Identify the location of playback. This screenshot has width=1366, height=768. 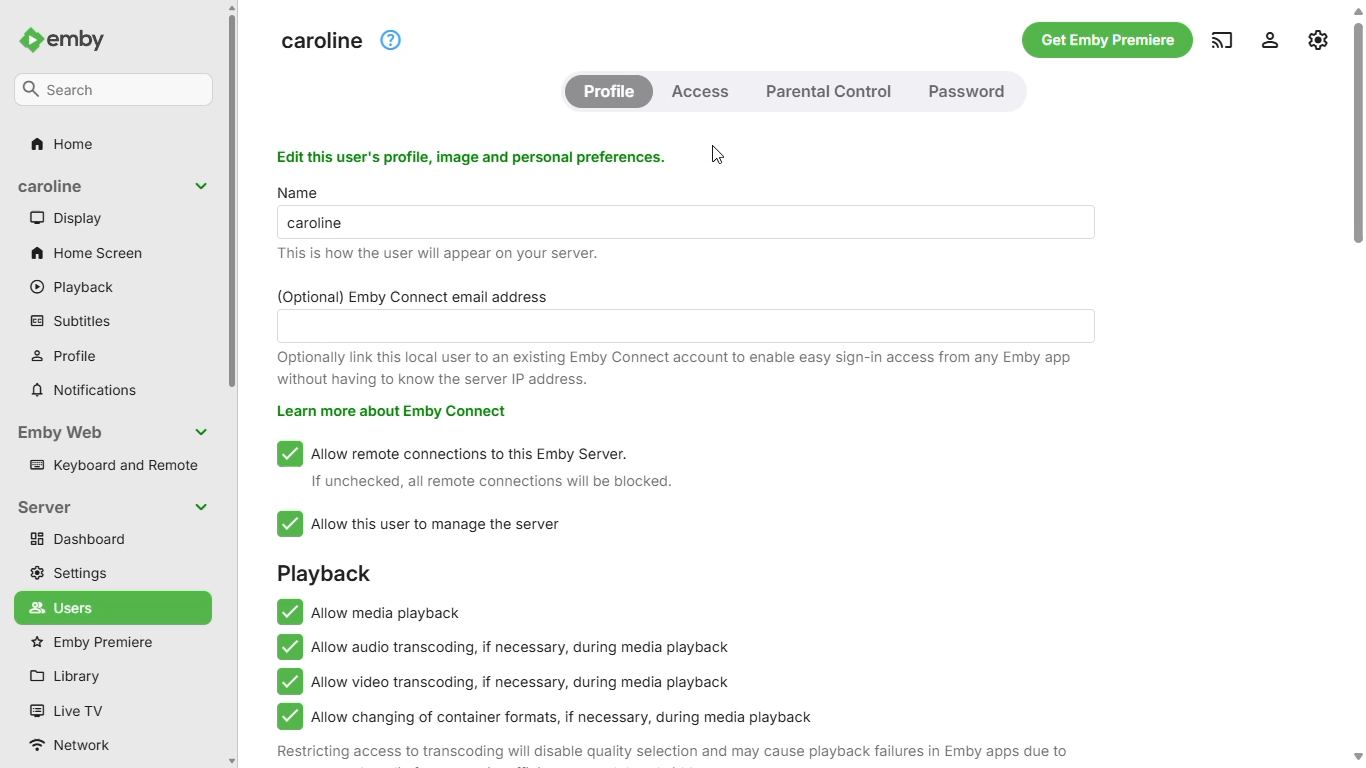
(73, 287).